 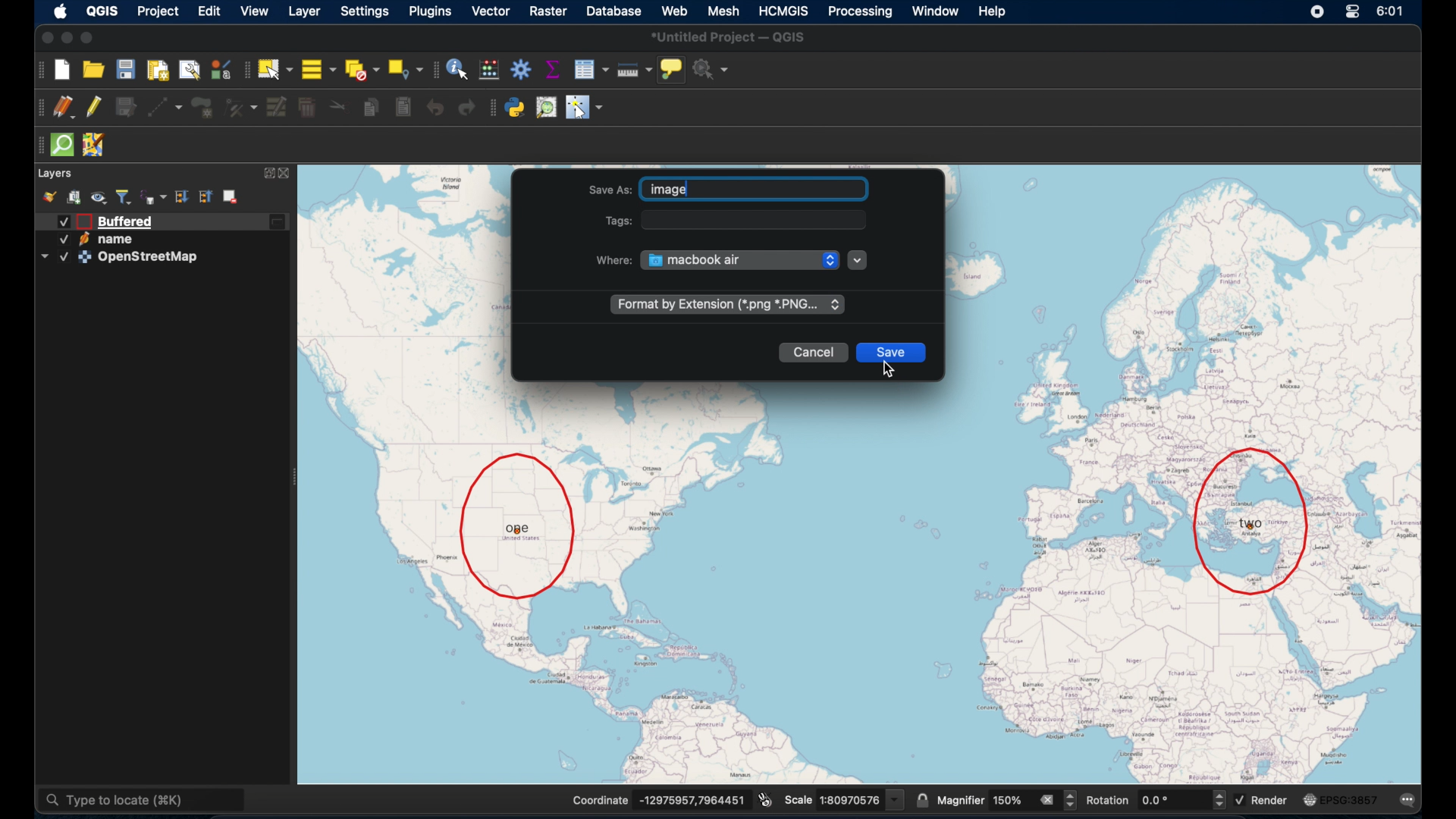 What do you see at coordinates (303, 11) in the screenshot?
I see `layer` at bounding box center [303, 11].